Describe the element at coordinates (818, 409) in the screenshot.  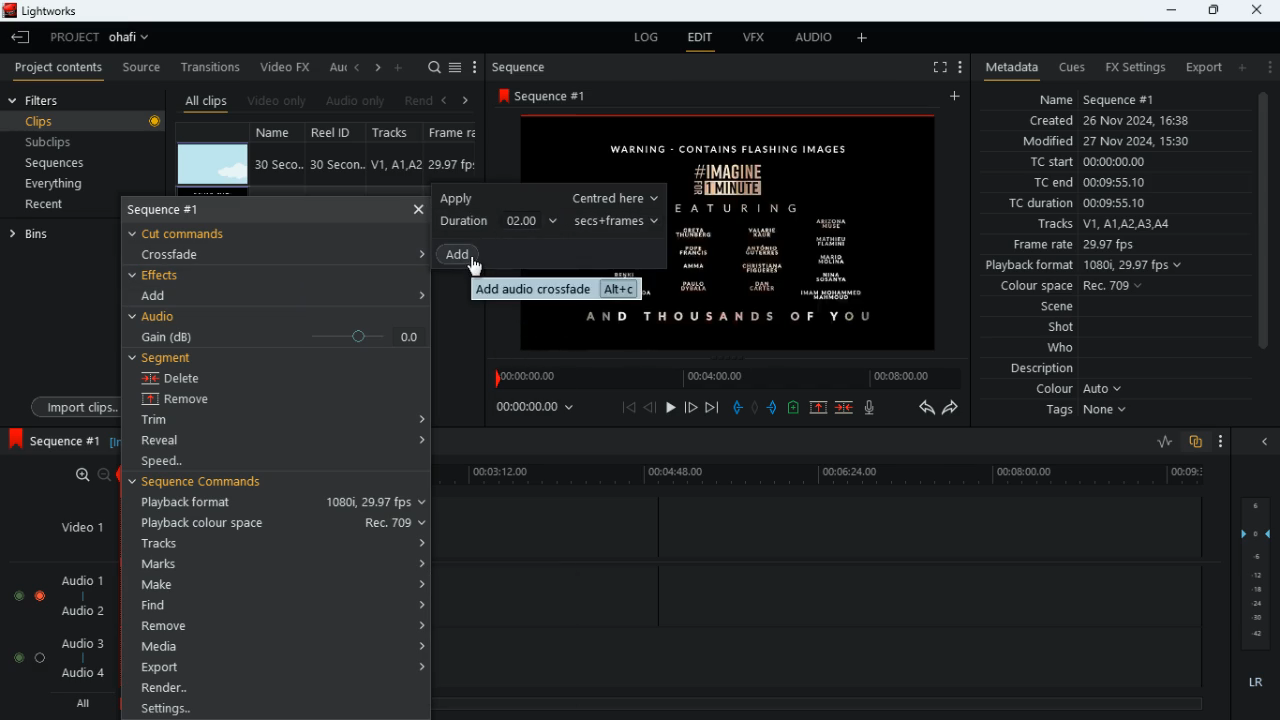
I see `up` at that location.